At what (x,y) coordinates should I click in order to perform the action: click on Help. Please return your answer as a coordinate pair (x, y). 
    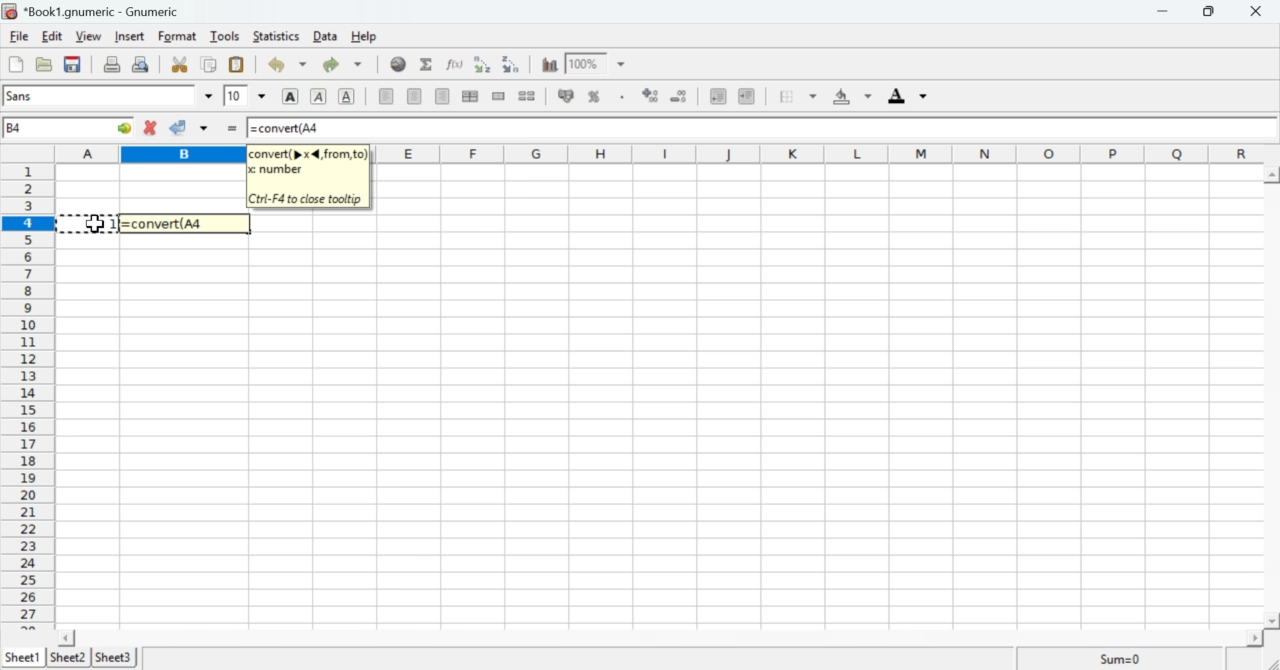
    Looking at the image, I should click on (370, 37).